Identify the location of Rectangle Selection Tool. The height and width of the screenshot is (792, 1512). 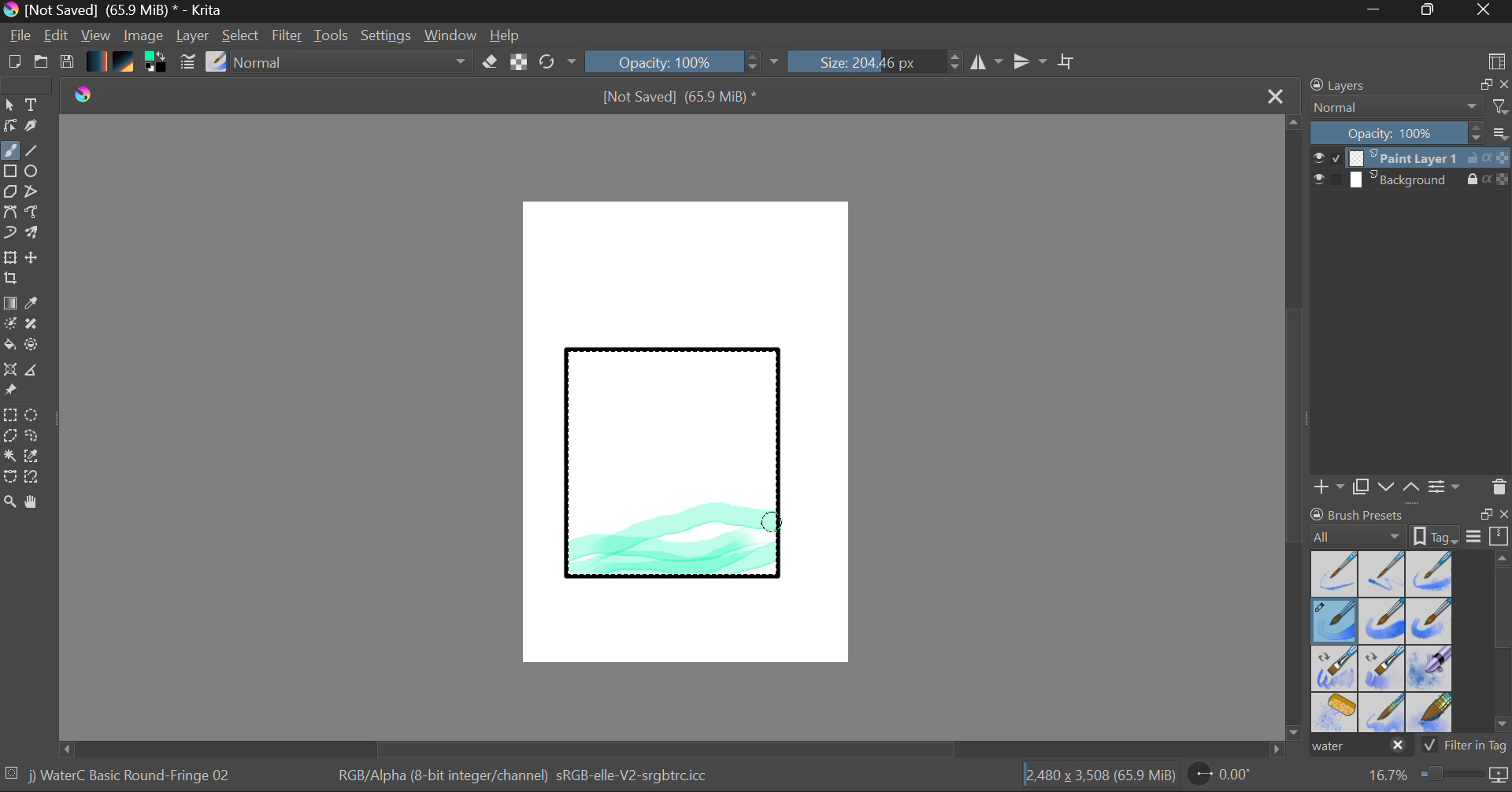
(9, 417).